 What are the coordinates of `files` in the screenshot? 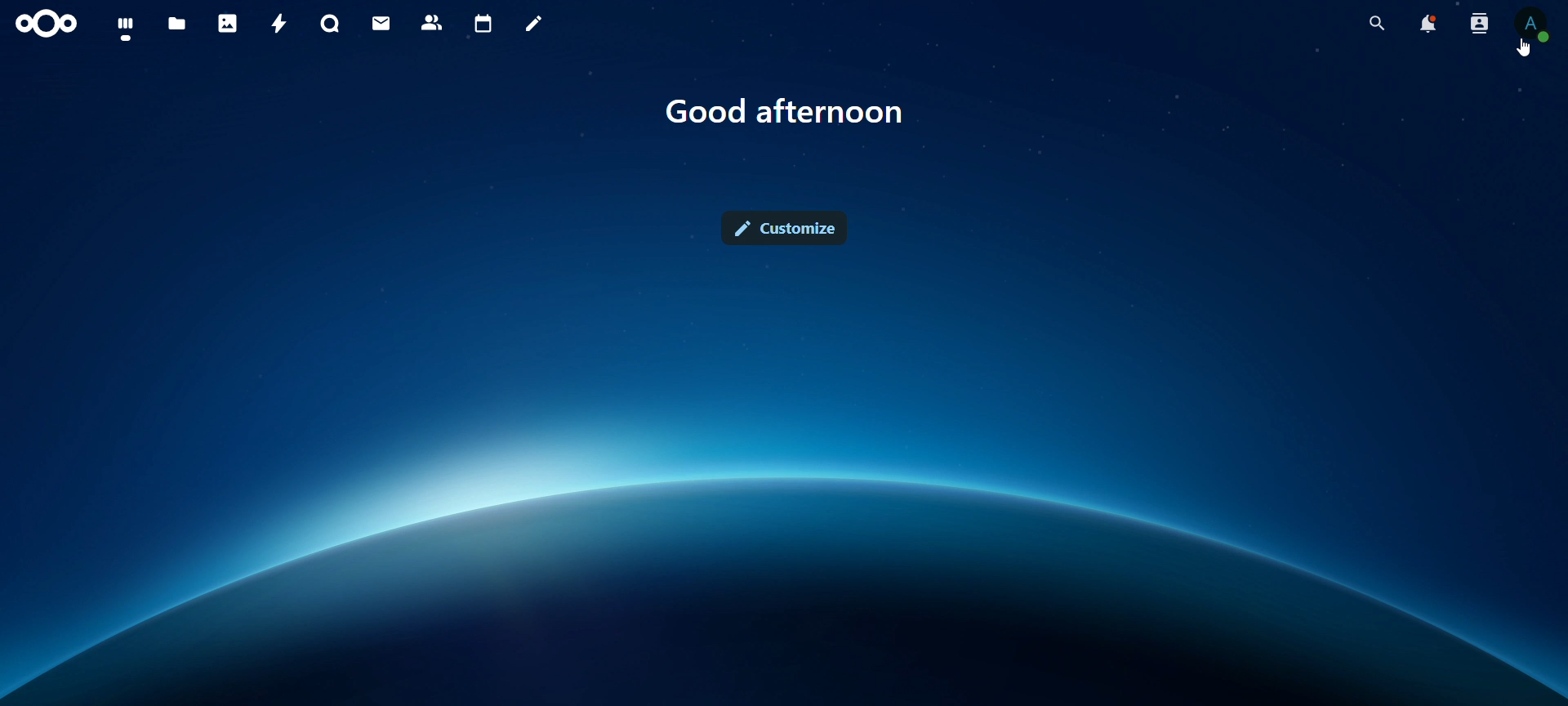 It's located at (178, 22).